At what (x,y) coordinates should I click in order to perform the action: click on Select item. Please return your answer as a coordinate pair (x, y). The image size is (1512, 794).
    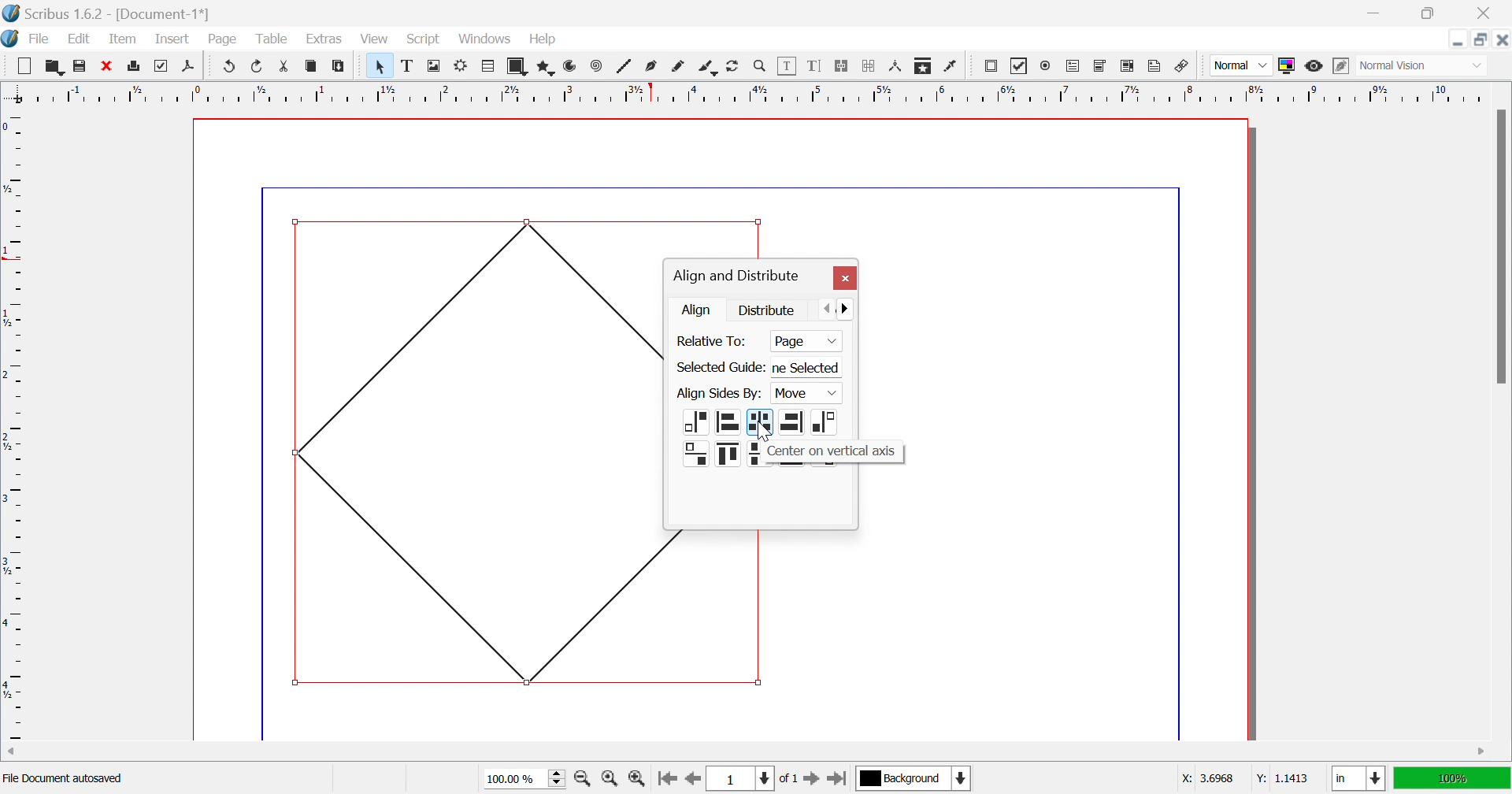
    Looking at the image, I should click on (383, 66).